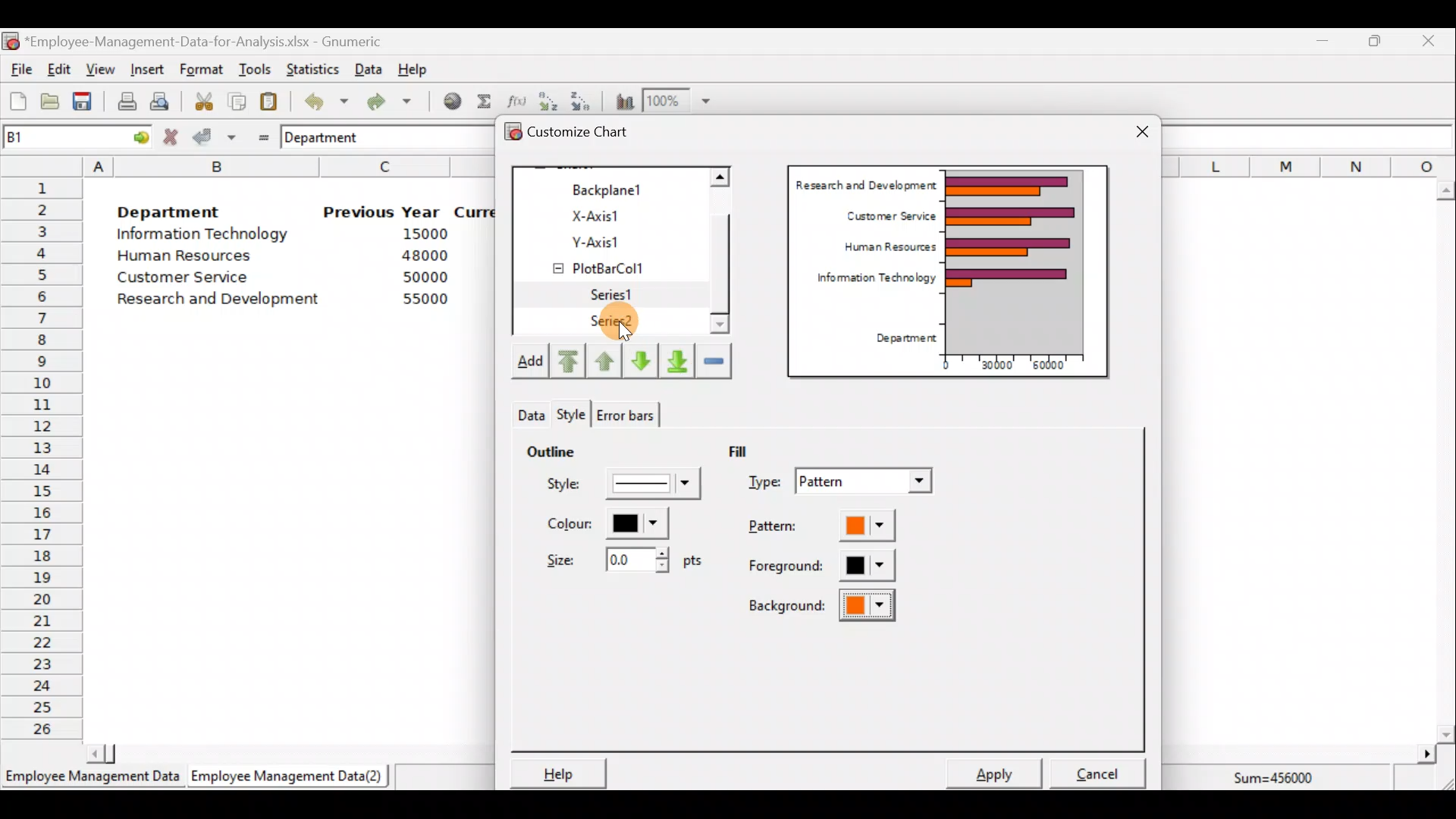 The width and height of the screenshot is (1456, 819). I want to click on Print current file, so click(127, 101).